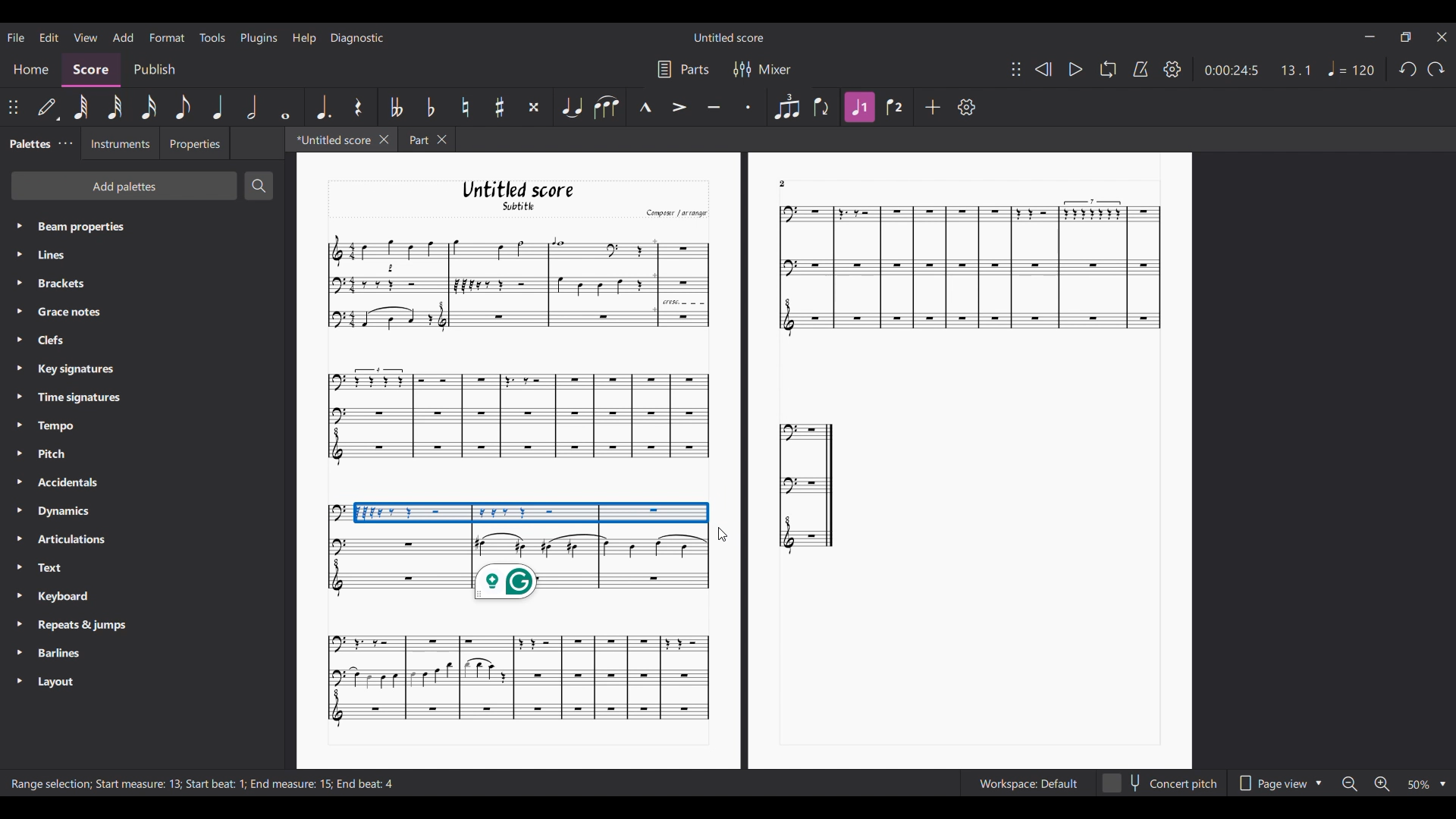  What do you see at coordinates (384, 139) in the screenshot?
I see `Close current tab` at bounding box center [384, 139].